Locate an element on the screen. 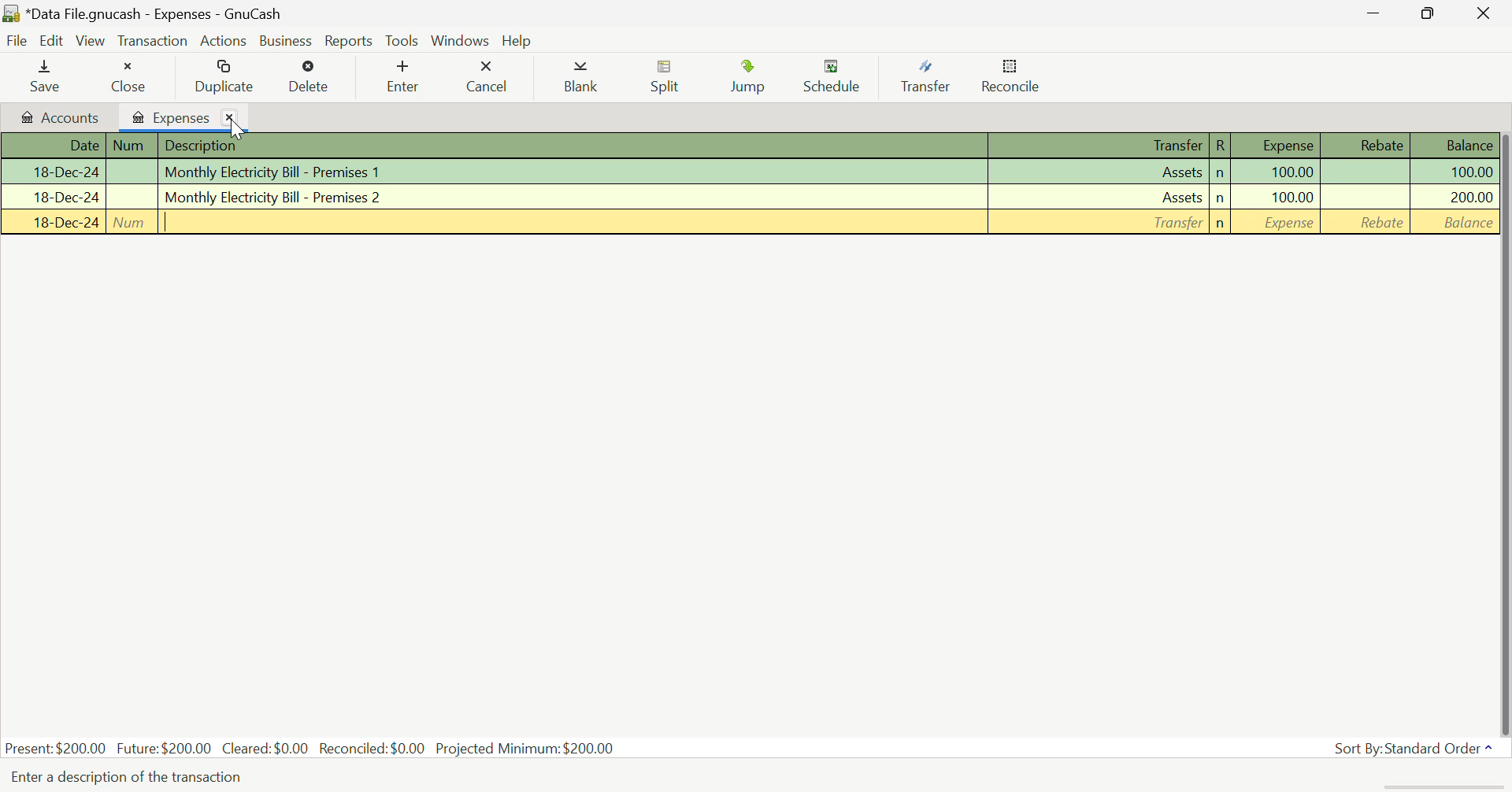 Image resolution: width=1512 pixels, height=792 pixels. Sort By: Standard Order is located at coordinates (1411, 747).